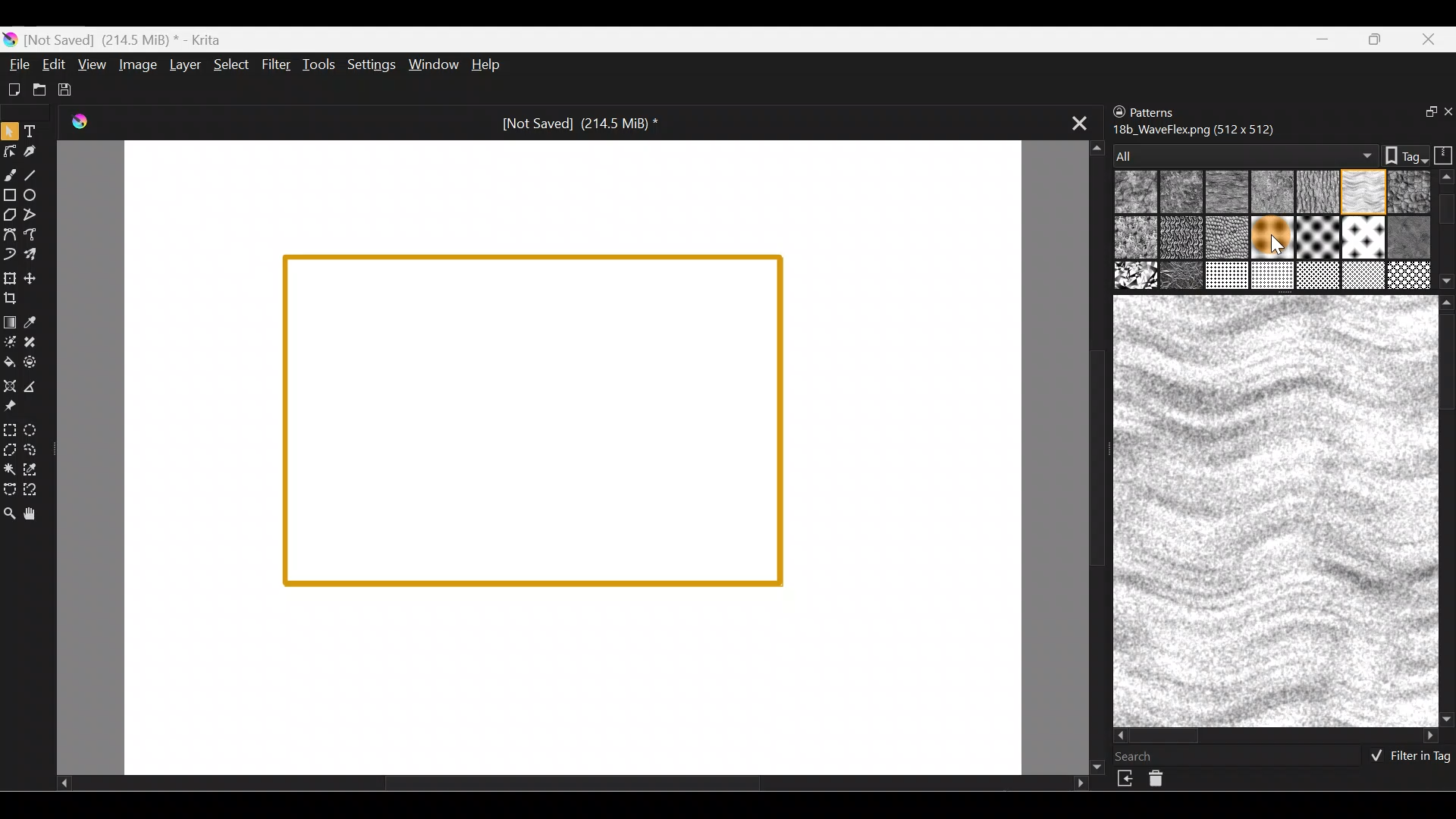 The image size is (1456, 819). I want to click on Polygonal selection tool, so click(11, 449).